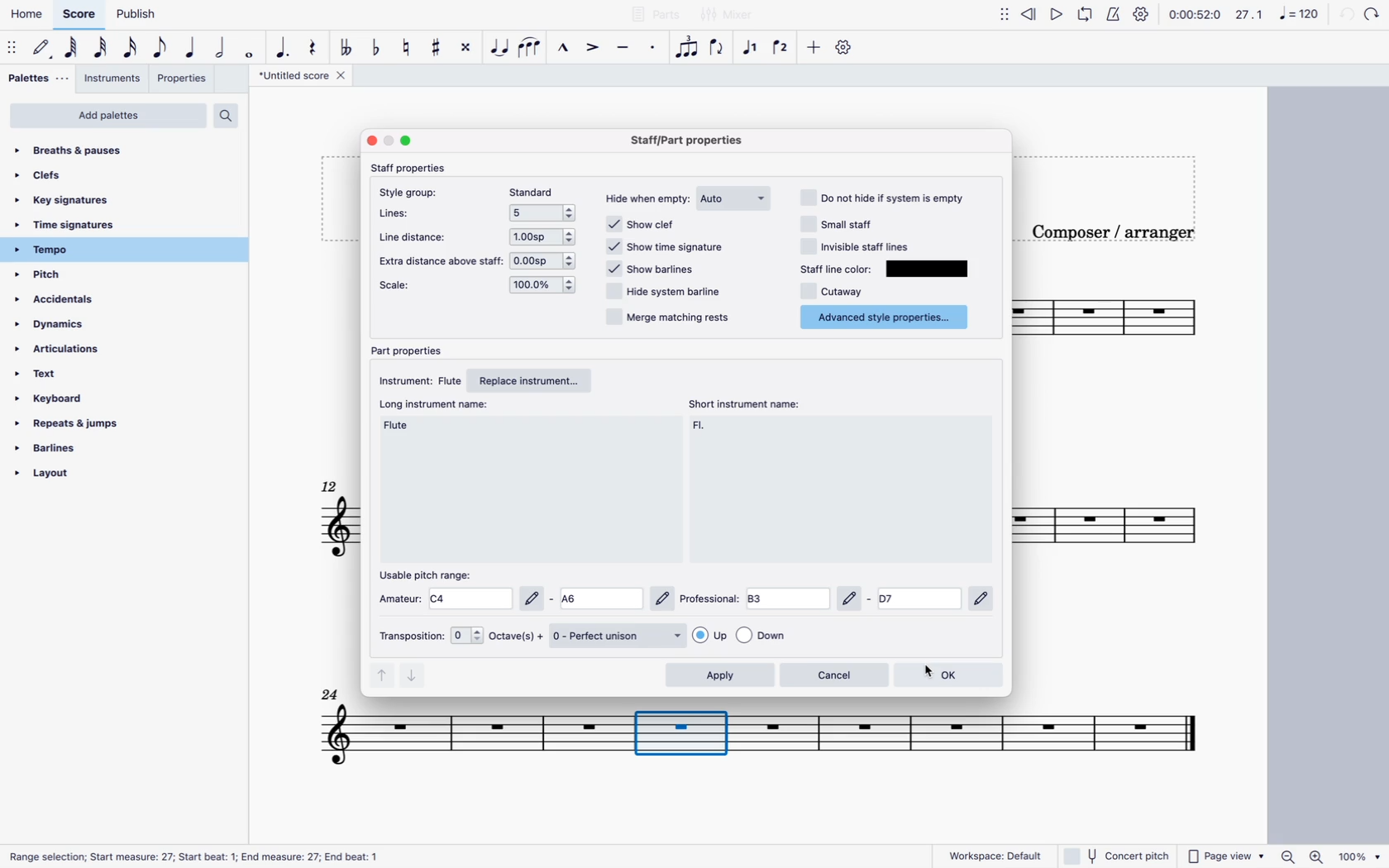  I want to click on workspace, so click(996, 855).